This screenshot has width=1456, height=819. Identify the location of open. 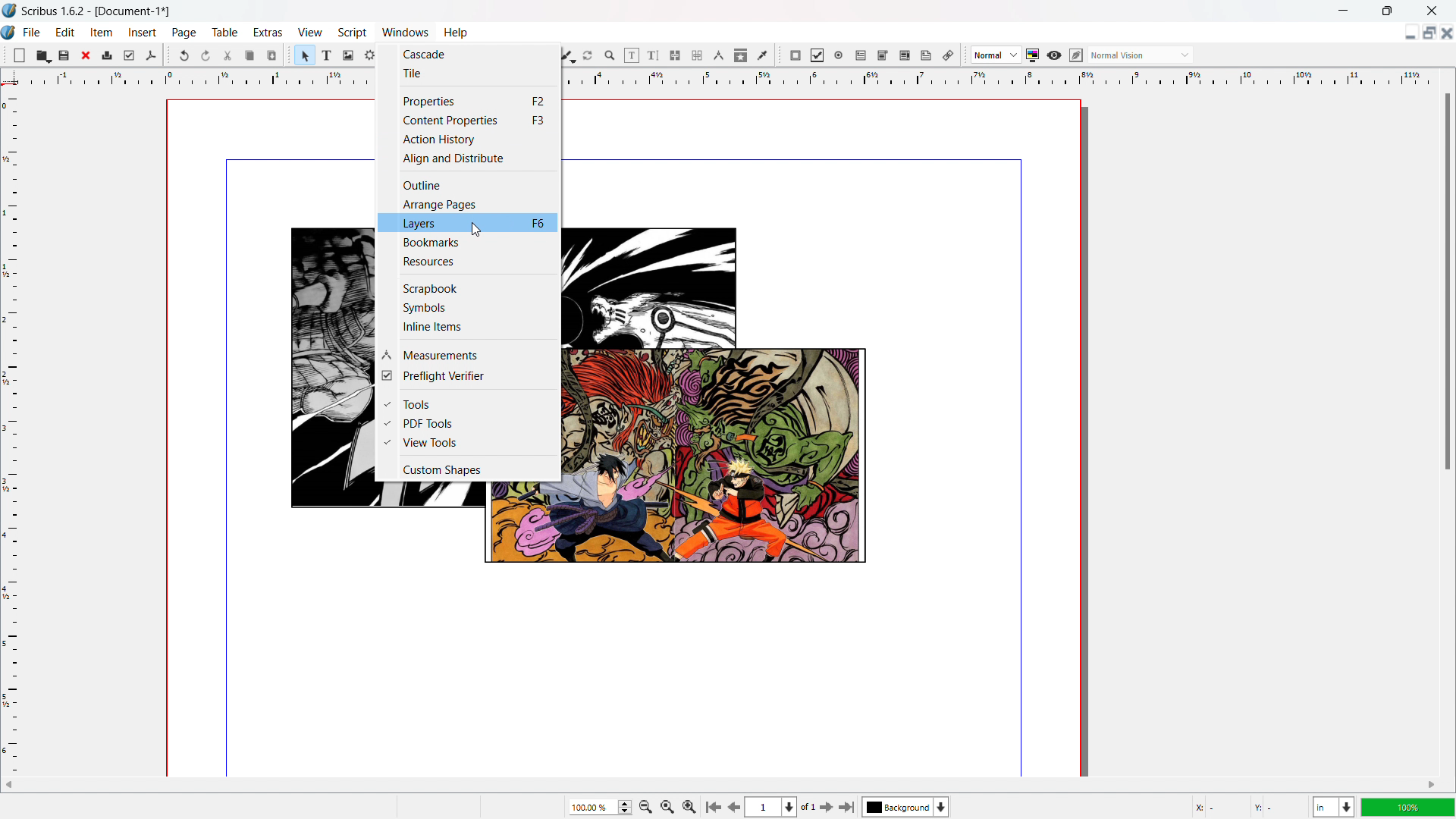
(43, 55).